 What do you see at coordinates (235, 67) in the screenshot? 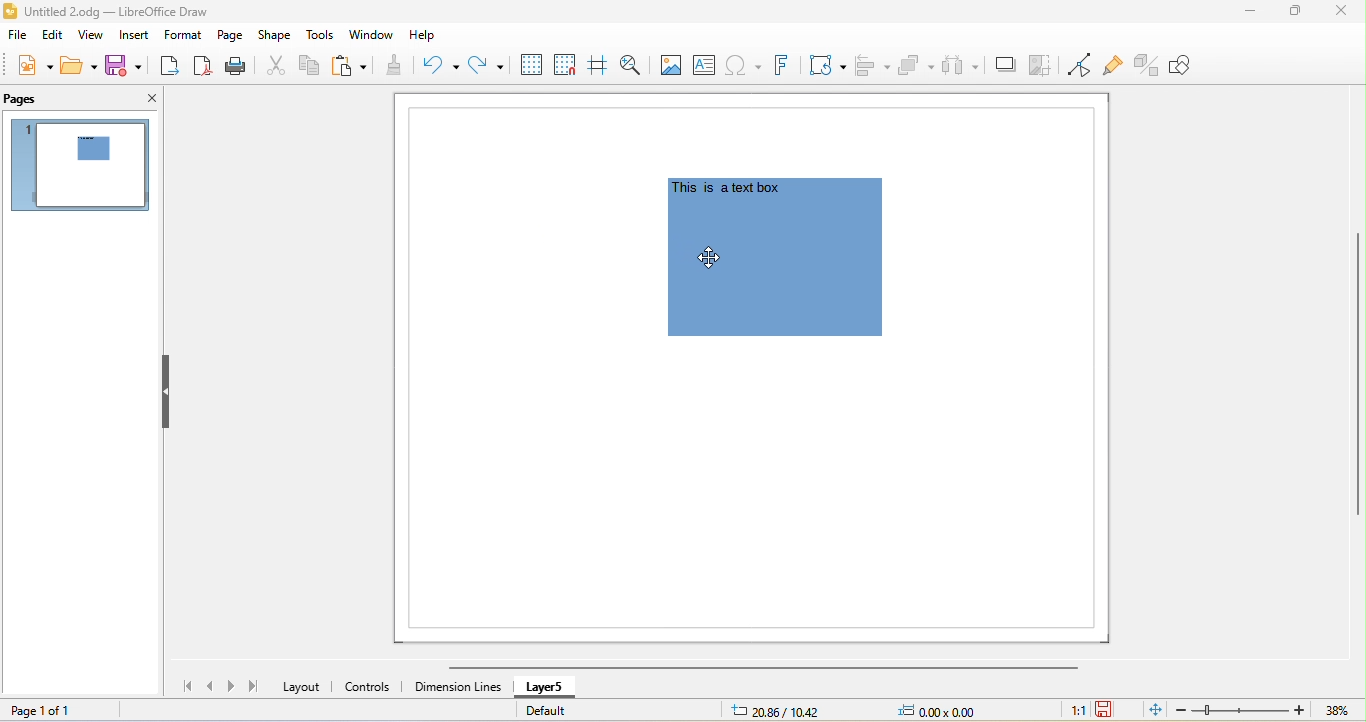
I see `print` at bounding box center [235, 67].